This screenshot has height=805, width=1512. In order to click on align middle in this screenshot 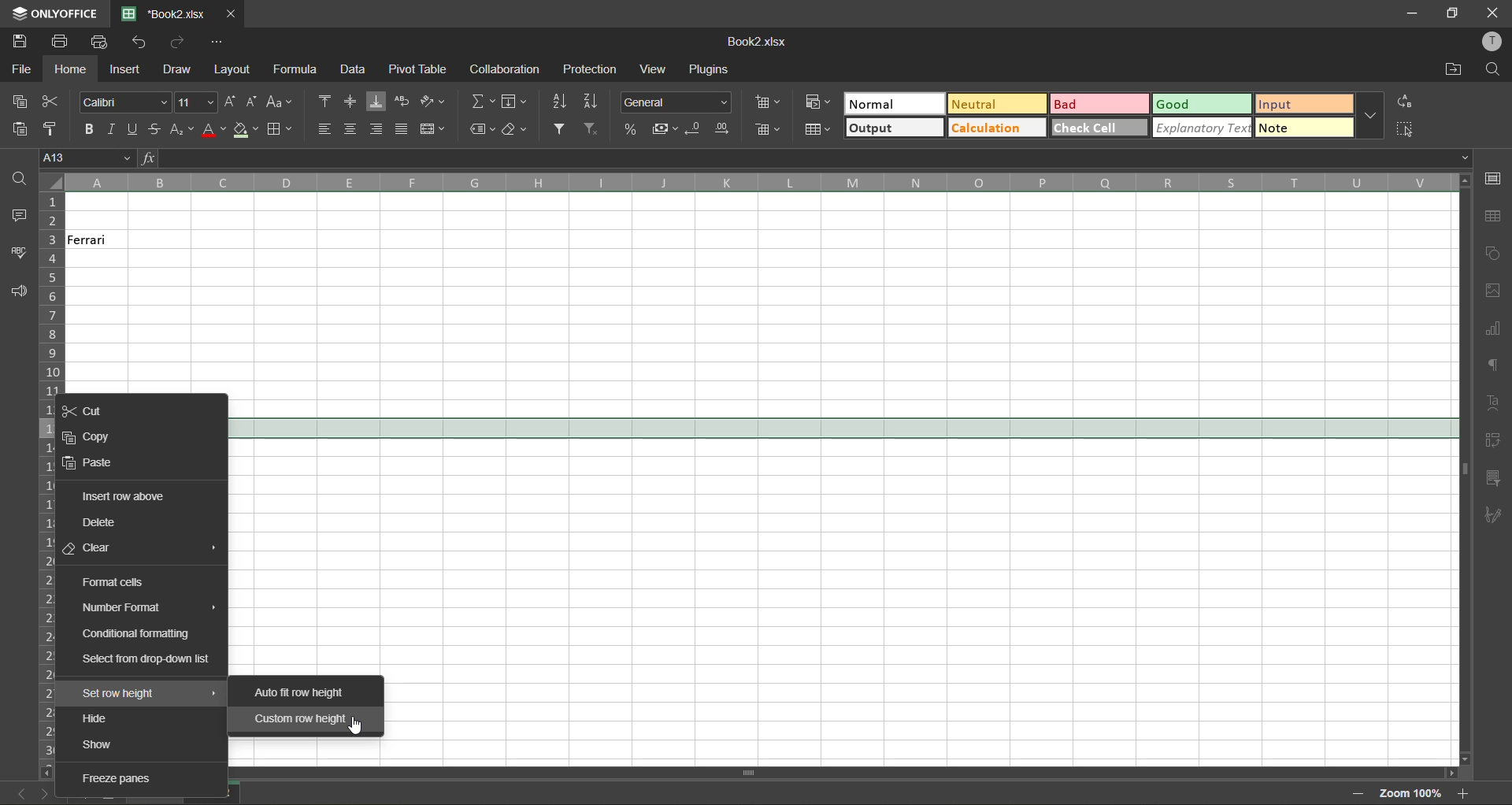, I will do `click(349, 100)`.